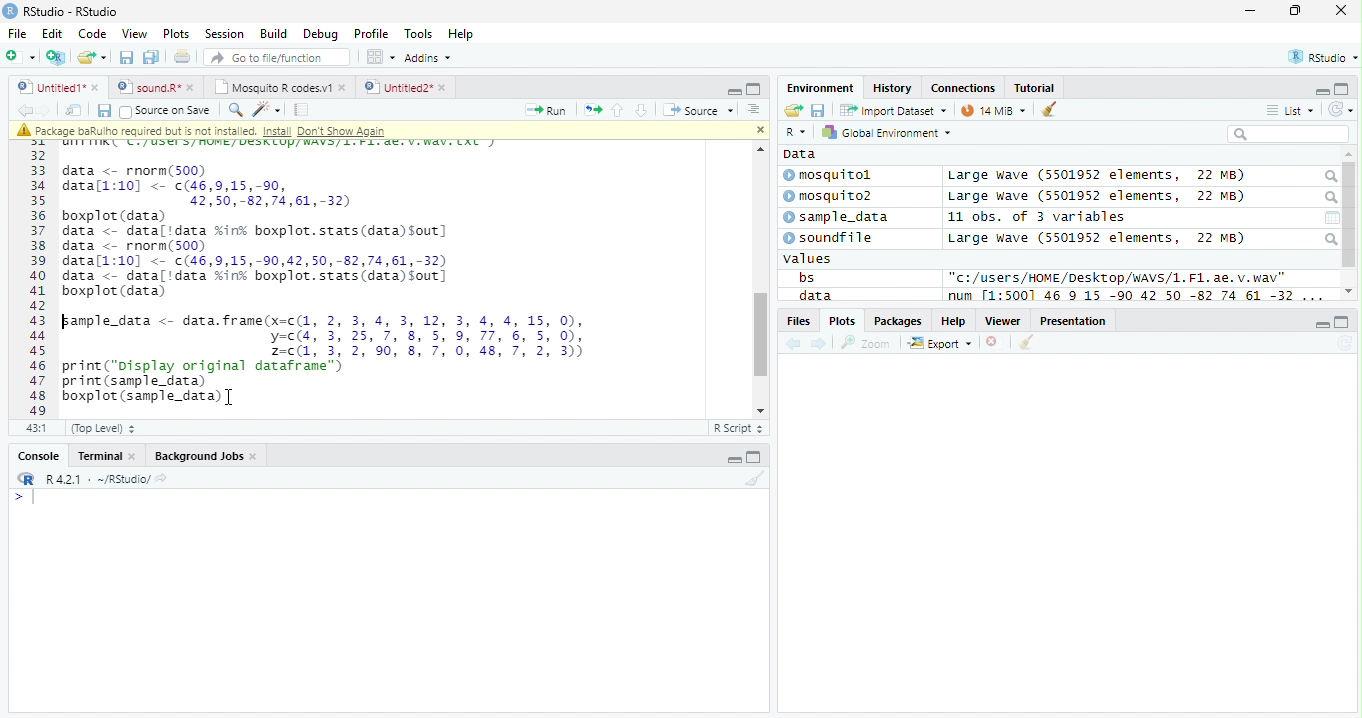 Image resolution: width=1362 pixels, height=718 pixels. I want to click on Edit, so click(53, 34).